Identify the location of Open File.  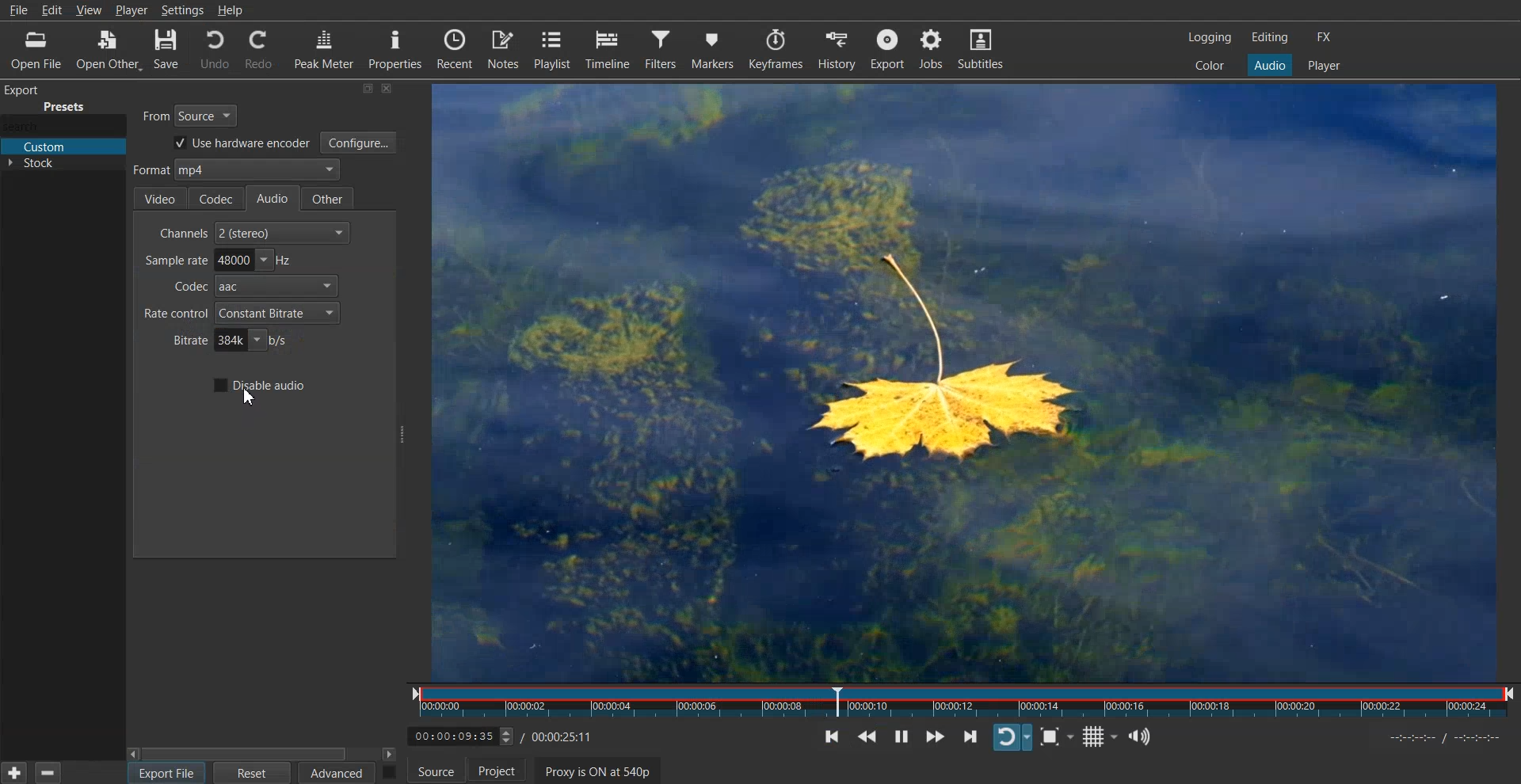
(30, 50).